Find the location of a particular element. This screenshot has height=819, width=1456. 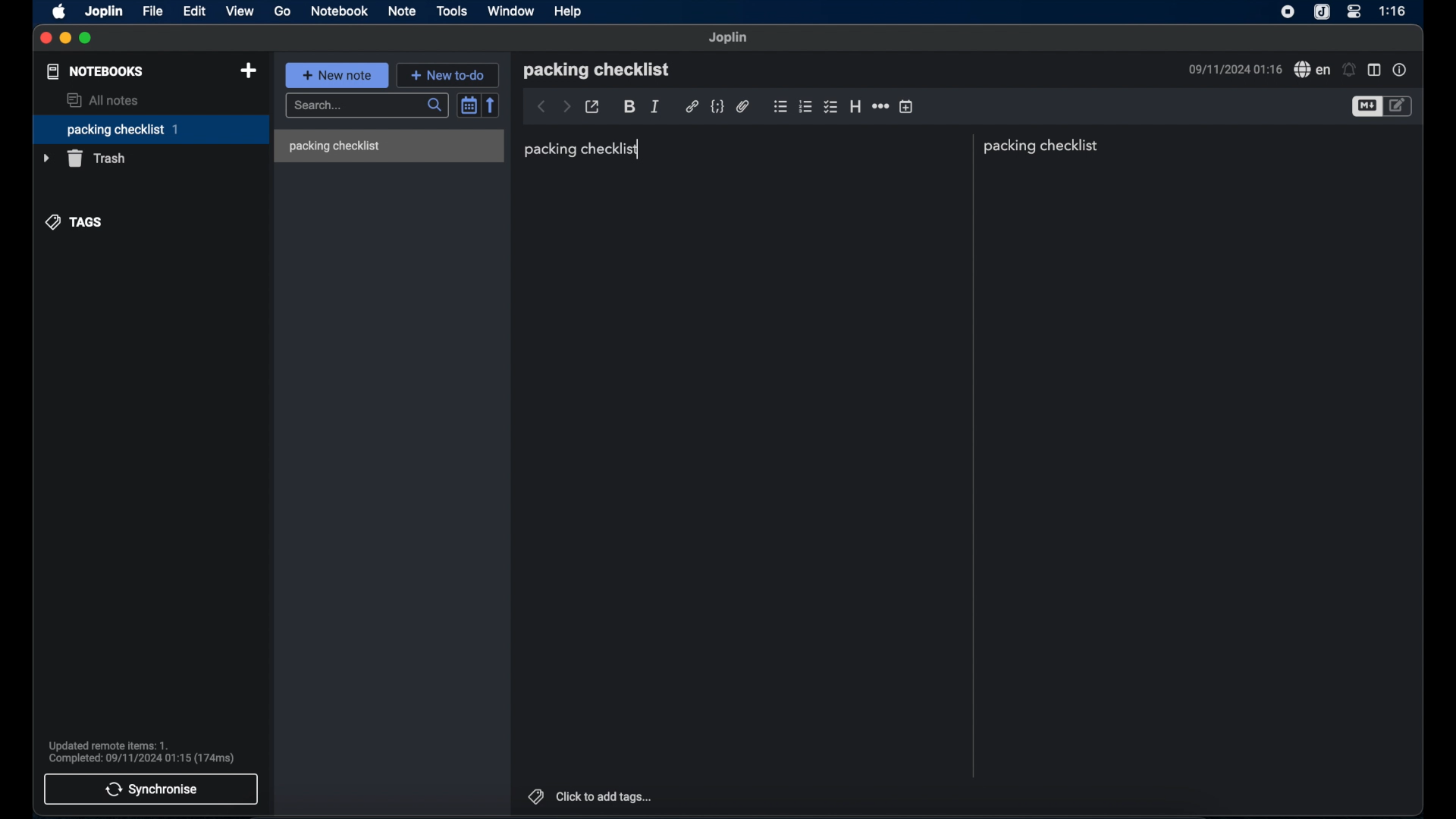

toggle editor is located at coordinates (1366, 107).